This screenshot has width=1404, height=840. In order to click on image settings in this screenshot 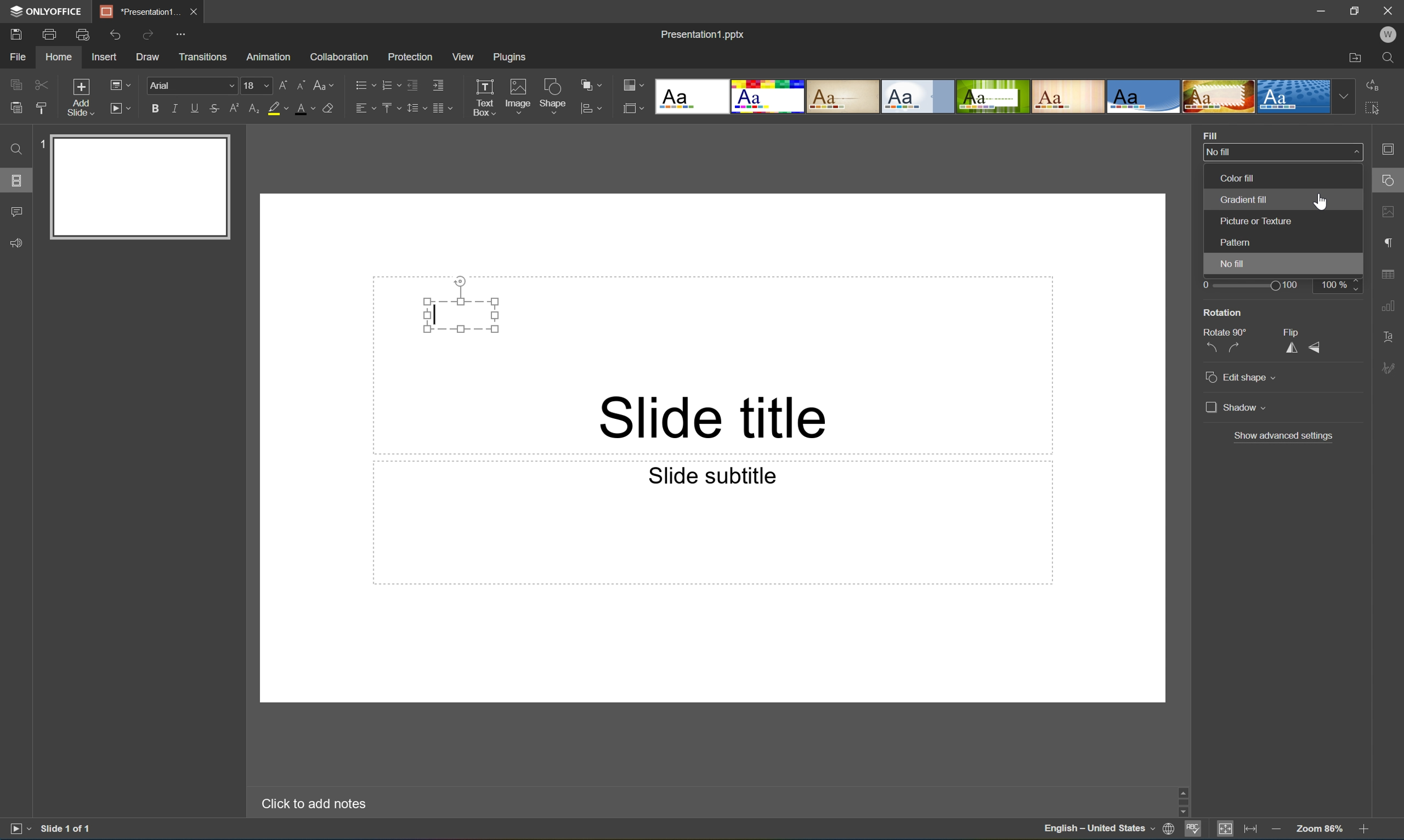, I will do `click(1390, 214)`.